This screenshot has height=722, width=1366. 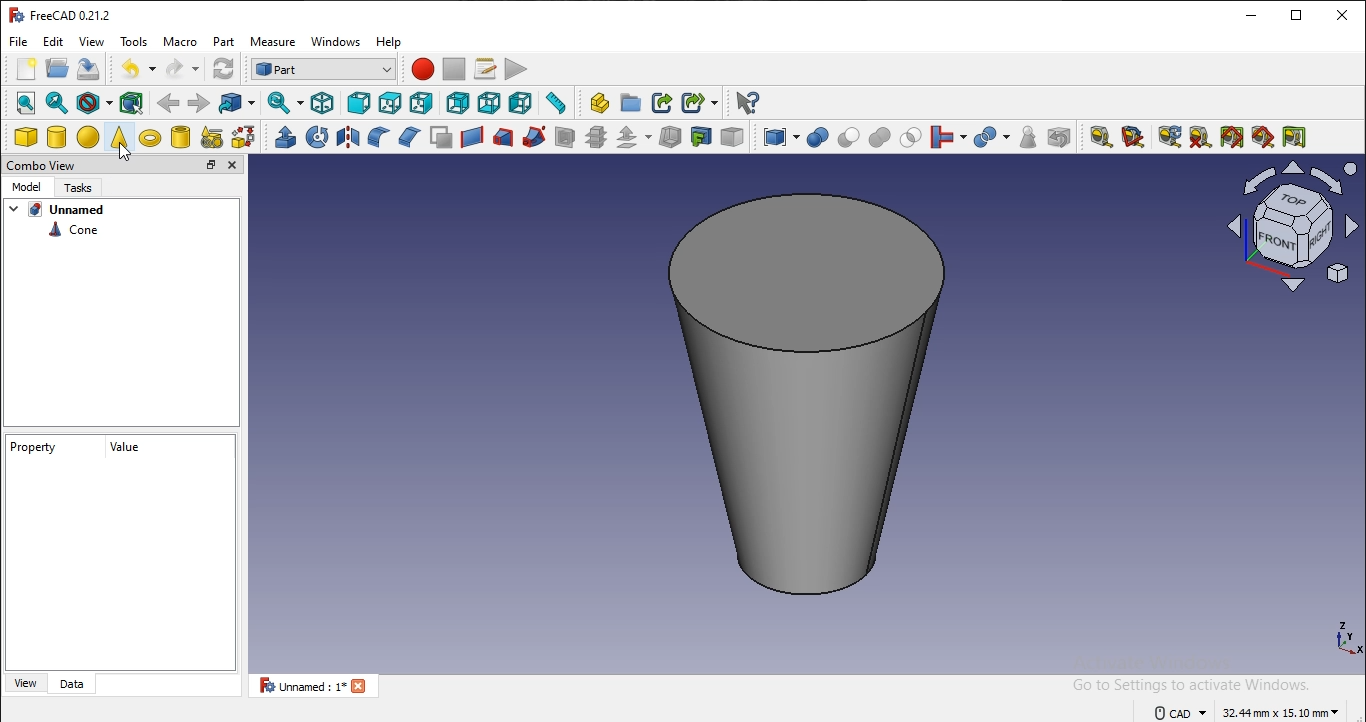 What do you see at coordinates (211, 164) in the screenshot?
I see `restore tab` at bounding box center [211, 164].